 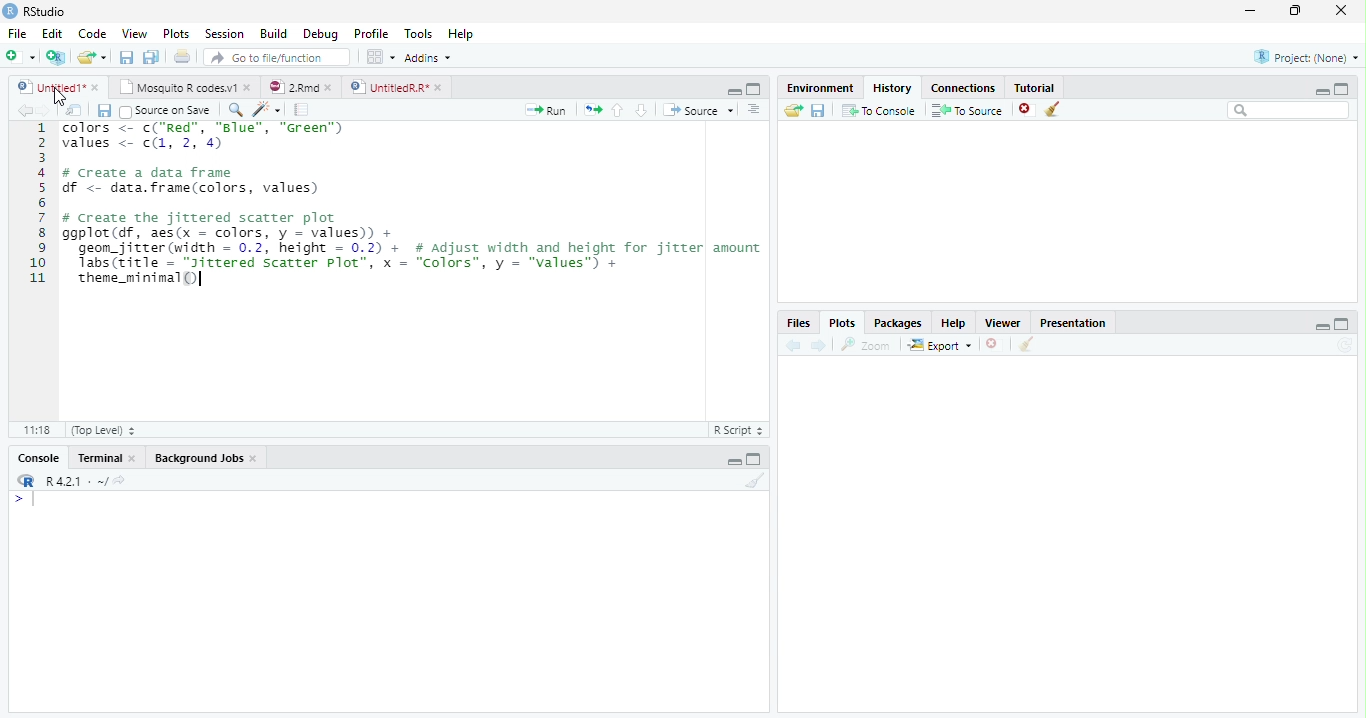 What do you see at coordinates (1306, 57) in the screenshot?
I see `Project: (None)` at bounding box center [1306, 57].